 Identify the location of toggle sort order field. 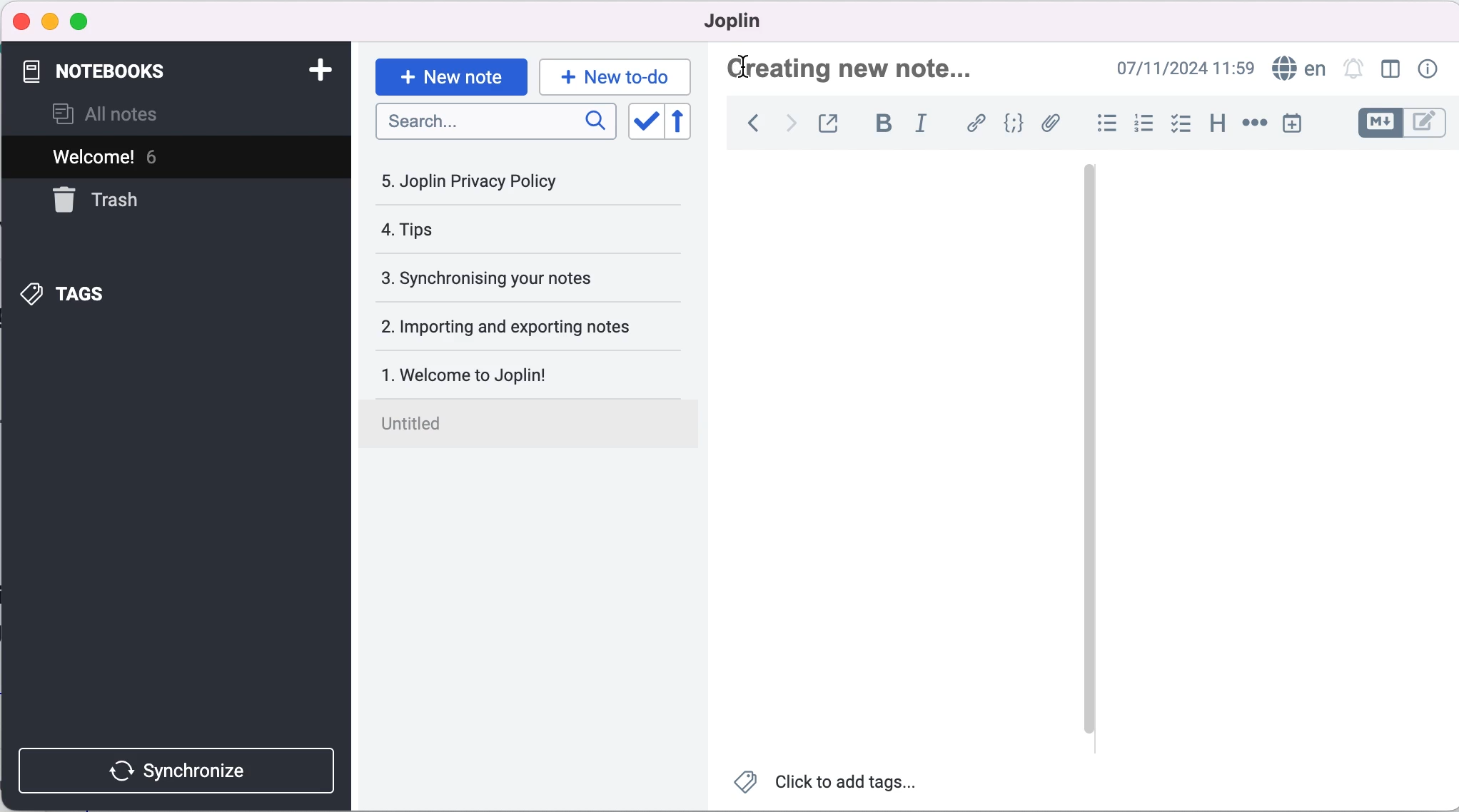
(642, 121).